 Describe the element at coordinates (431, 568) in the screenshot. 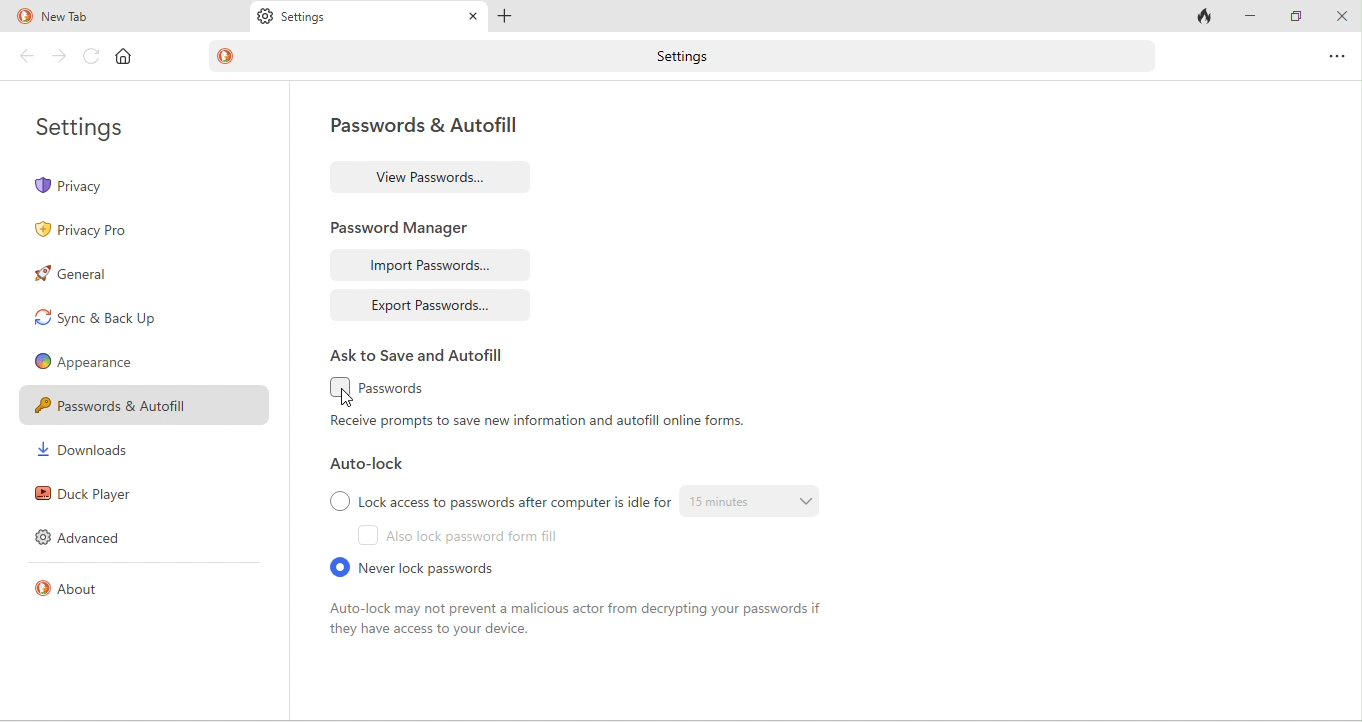

I see `never lock passwords` at that location.